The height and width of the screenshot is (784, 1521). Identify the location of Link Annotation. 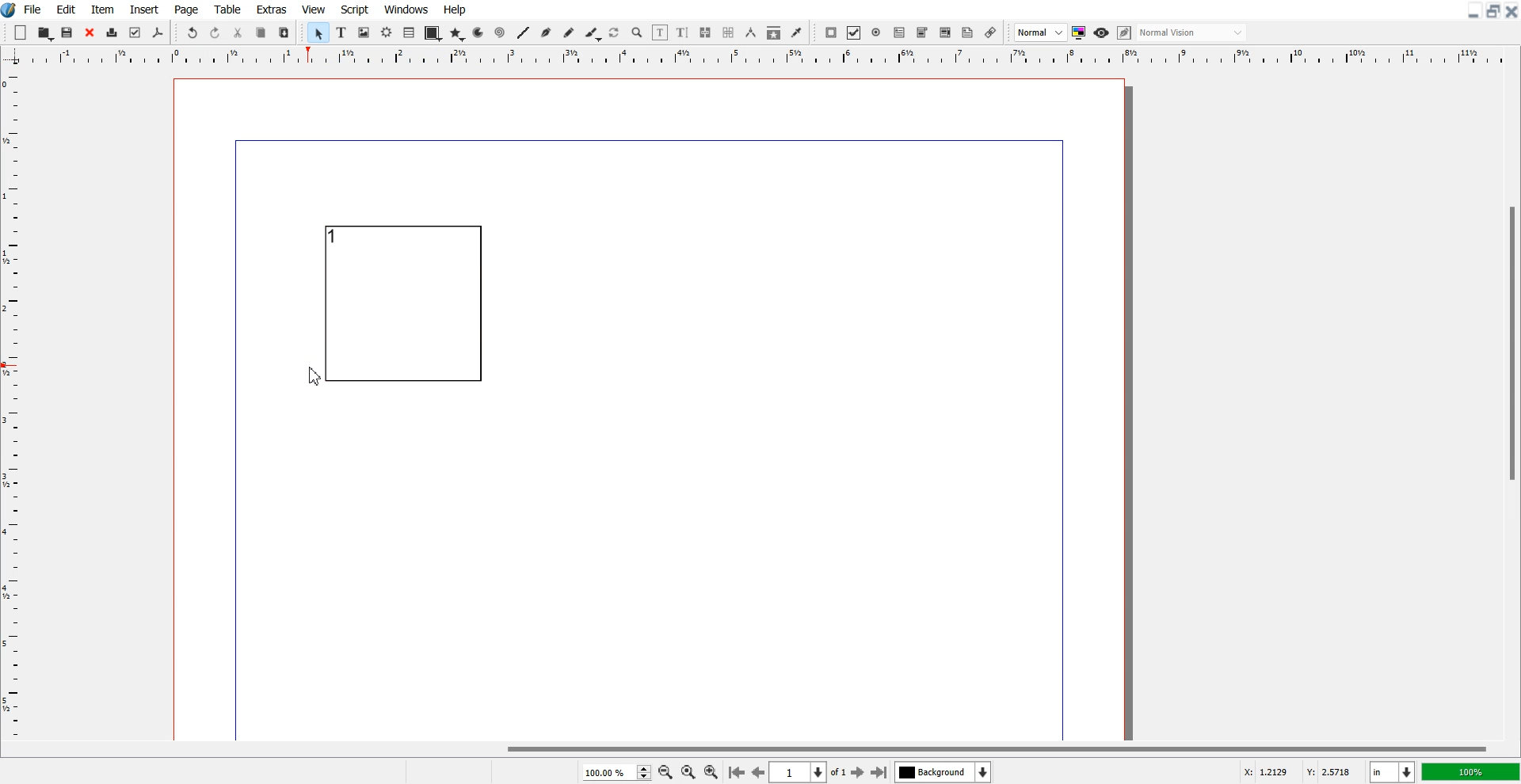
(990, 32).